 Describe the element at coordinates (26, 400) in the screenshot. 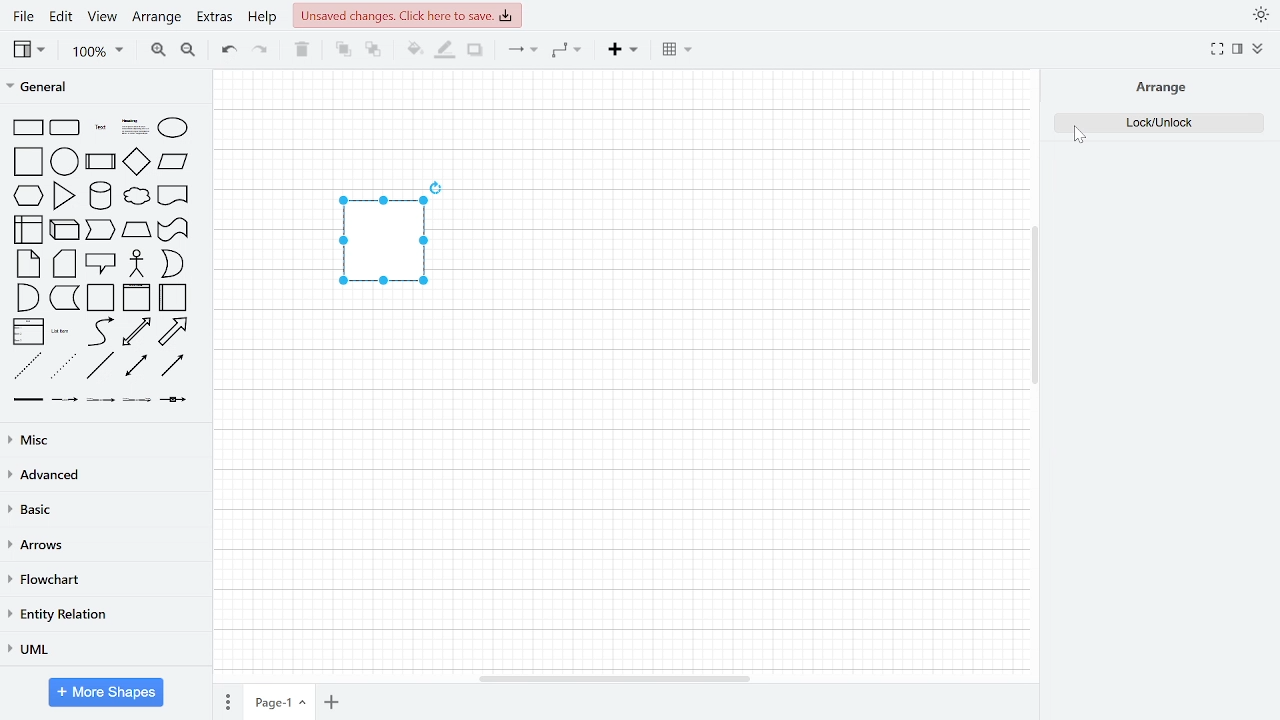

I see `link` at that location.